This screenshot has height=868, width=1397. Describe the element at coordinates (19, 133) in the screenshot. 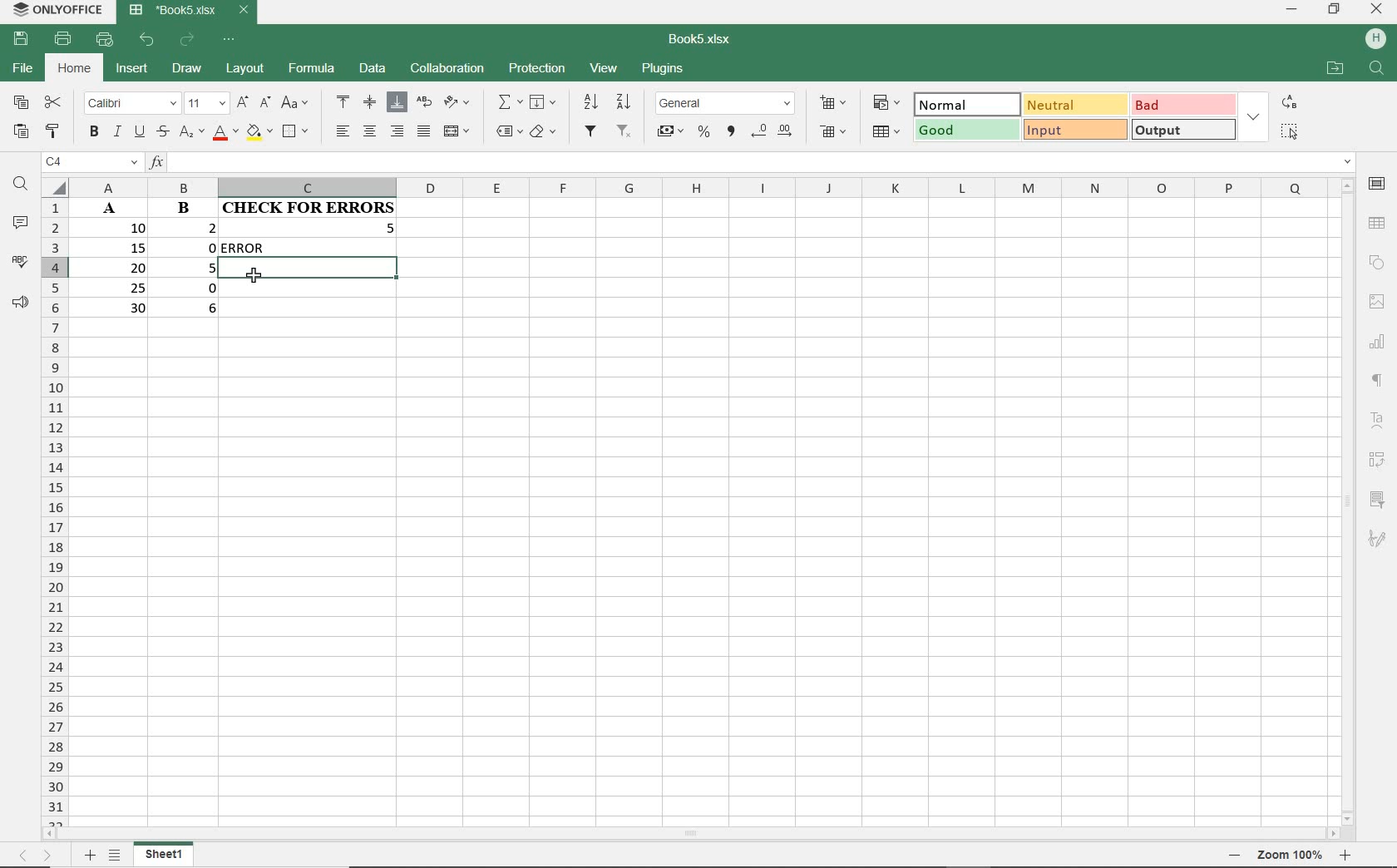

I see `PASTE` at that location.